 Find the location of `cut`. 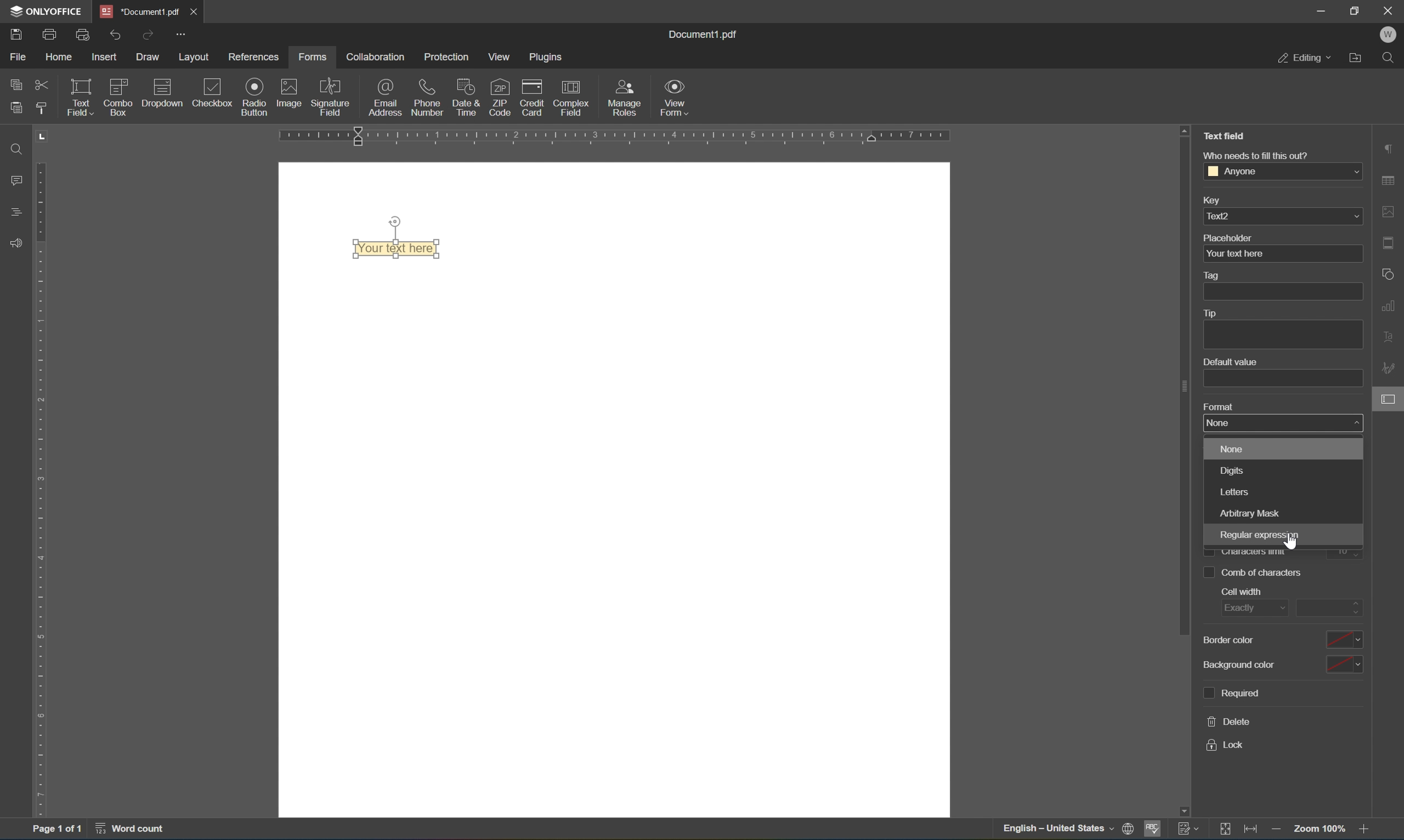

cut is located at coordinates (42, 84).